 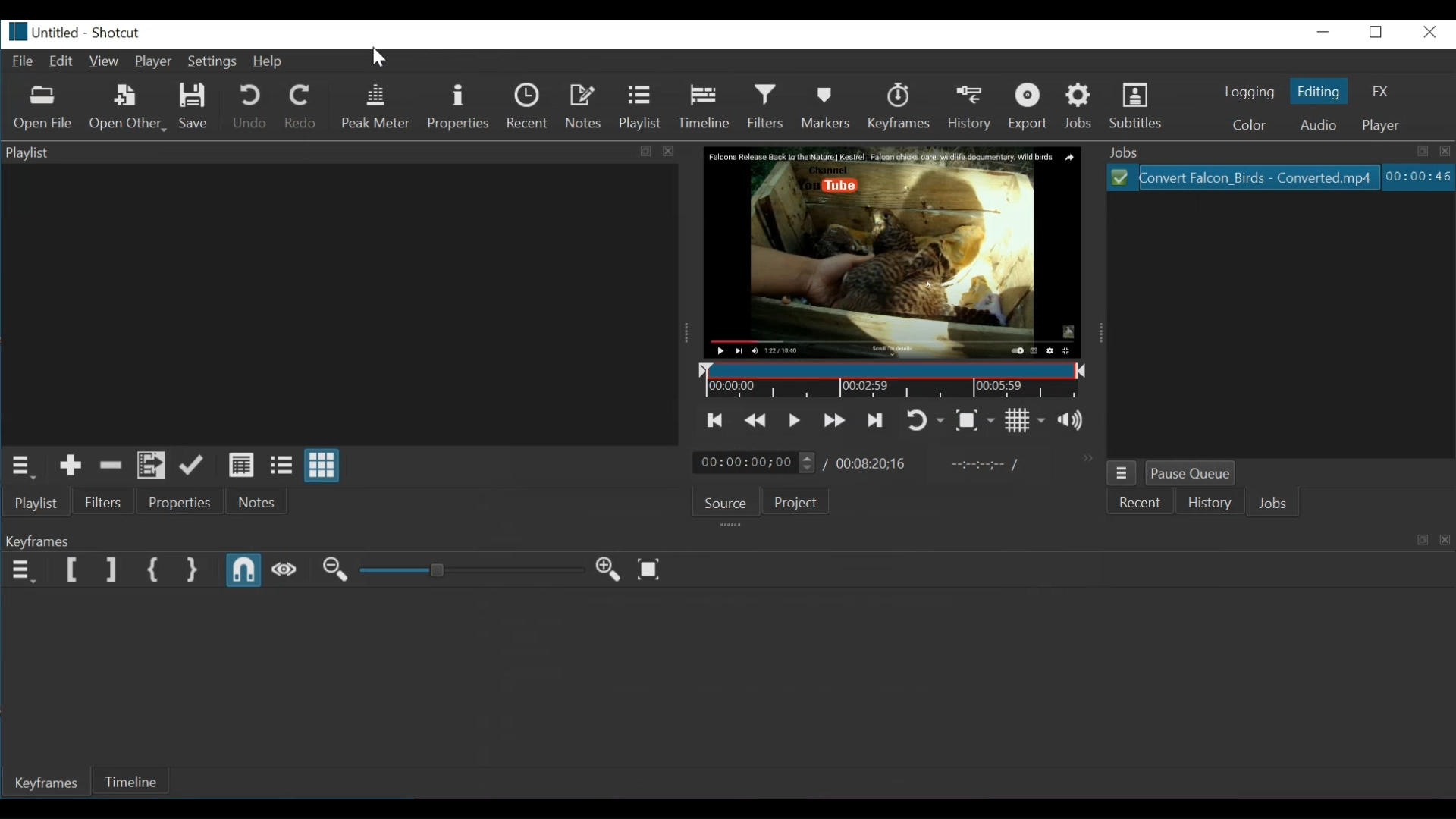 I want to click on Save, so click(x=199, y=108).